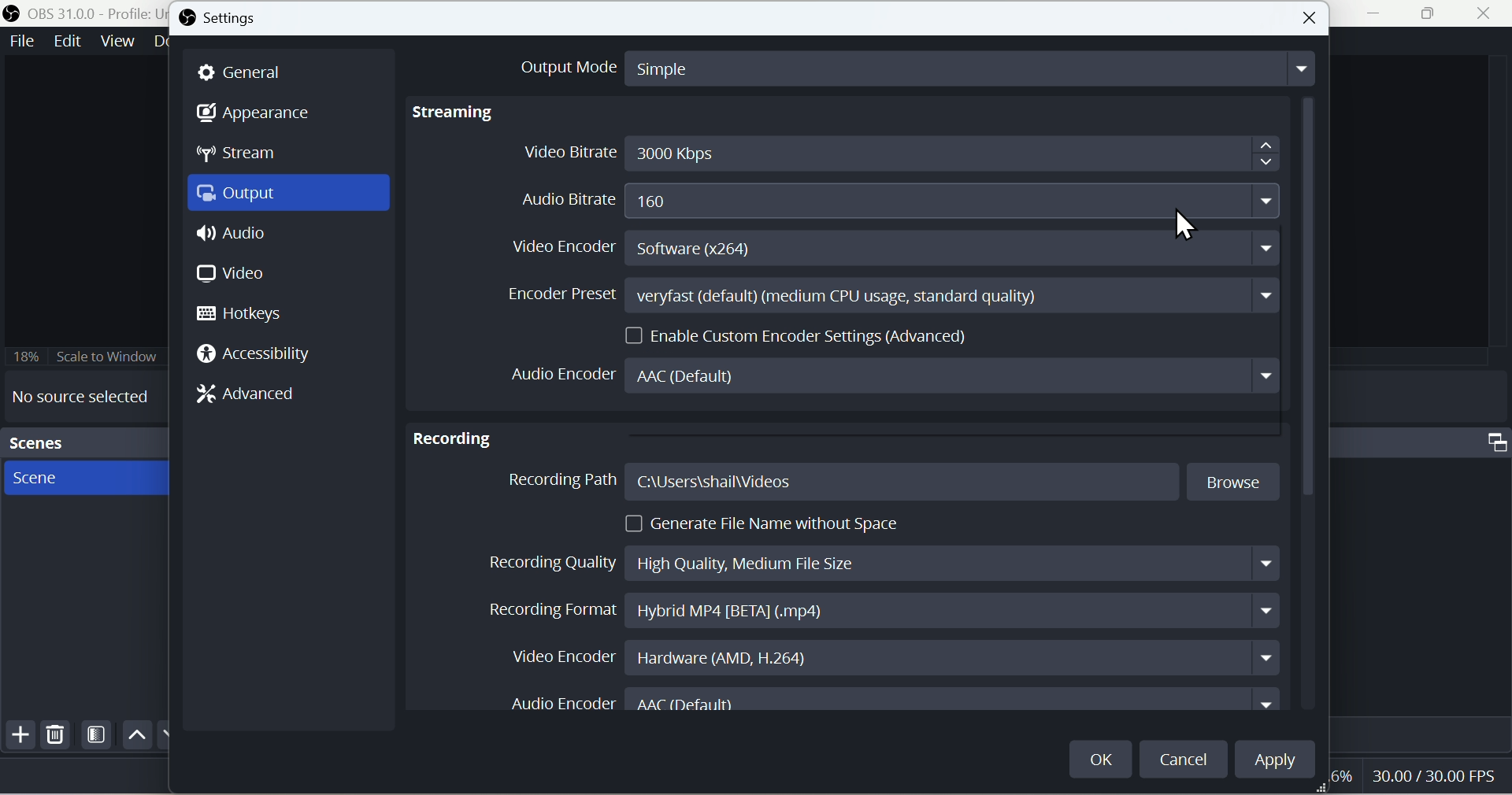 The width and height of the screenshot is (1512, 795). What do you see at coordinates (248, 313) in the screenshot?
I see `Hotkeys` at bounding box center [248, 313].